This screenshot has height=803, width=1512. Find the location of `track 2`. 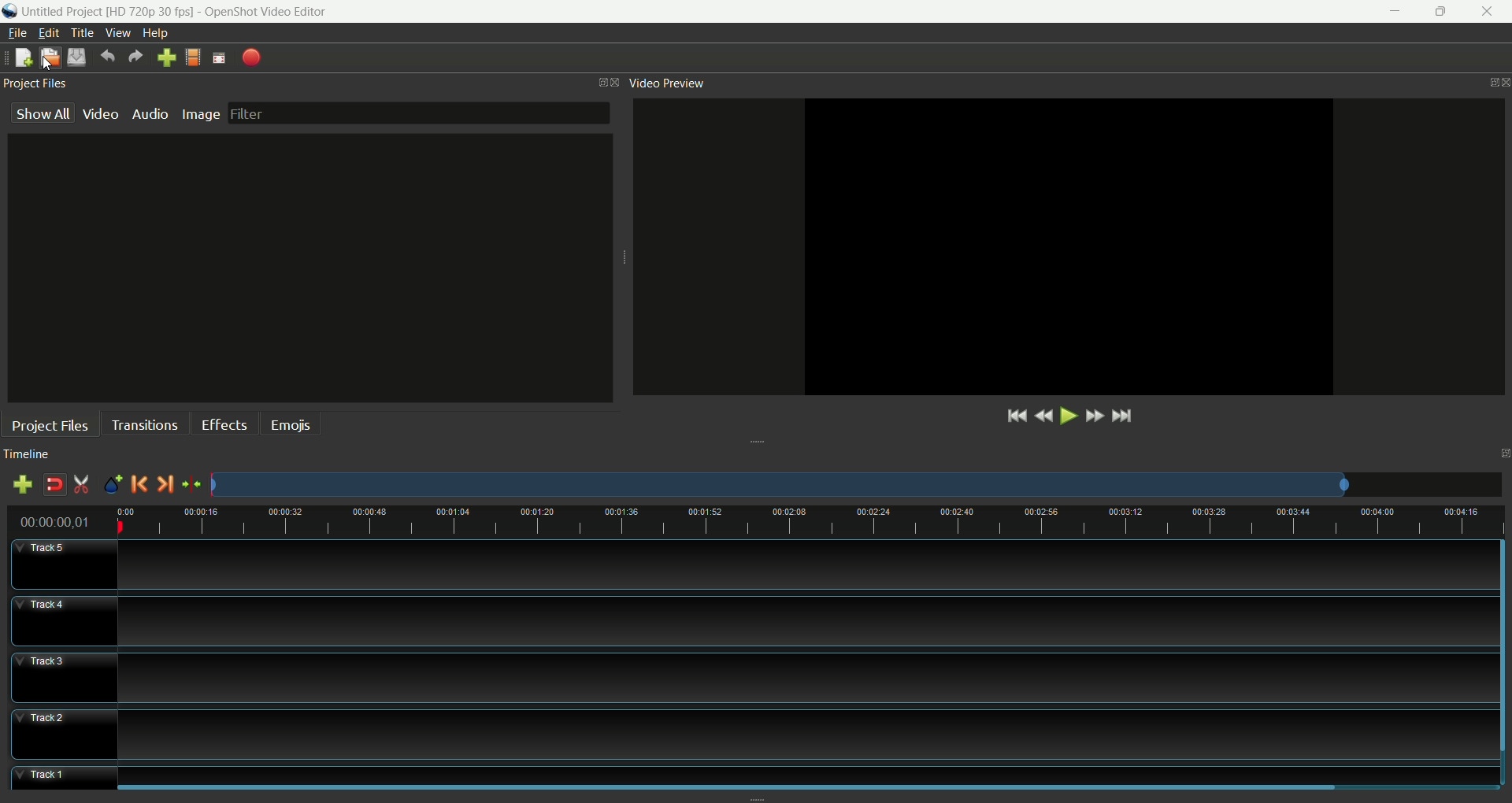

track 2 is located at coordinates (800, 732).